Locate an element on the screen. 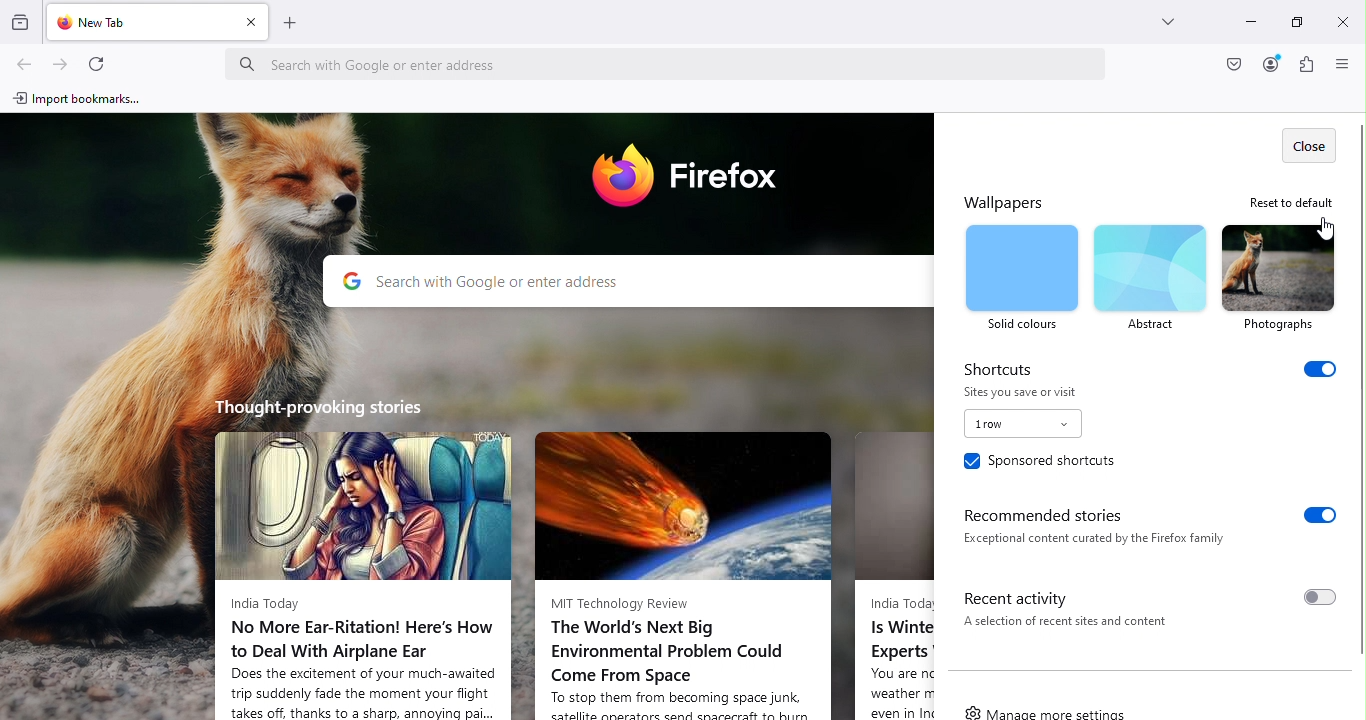 The width and height of the screenshot is (1366, 720). Scroll bar is located at coordinates (1358, 384).